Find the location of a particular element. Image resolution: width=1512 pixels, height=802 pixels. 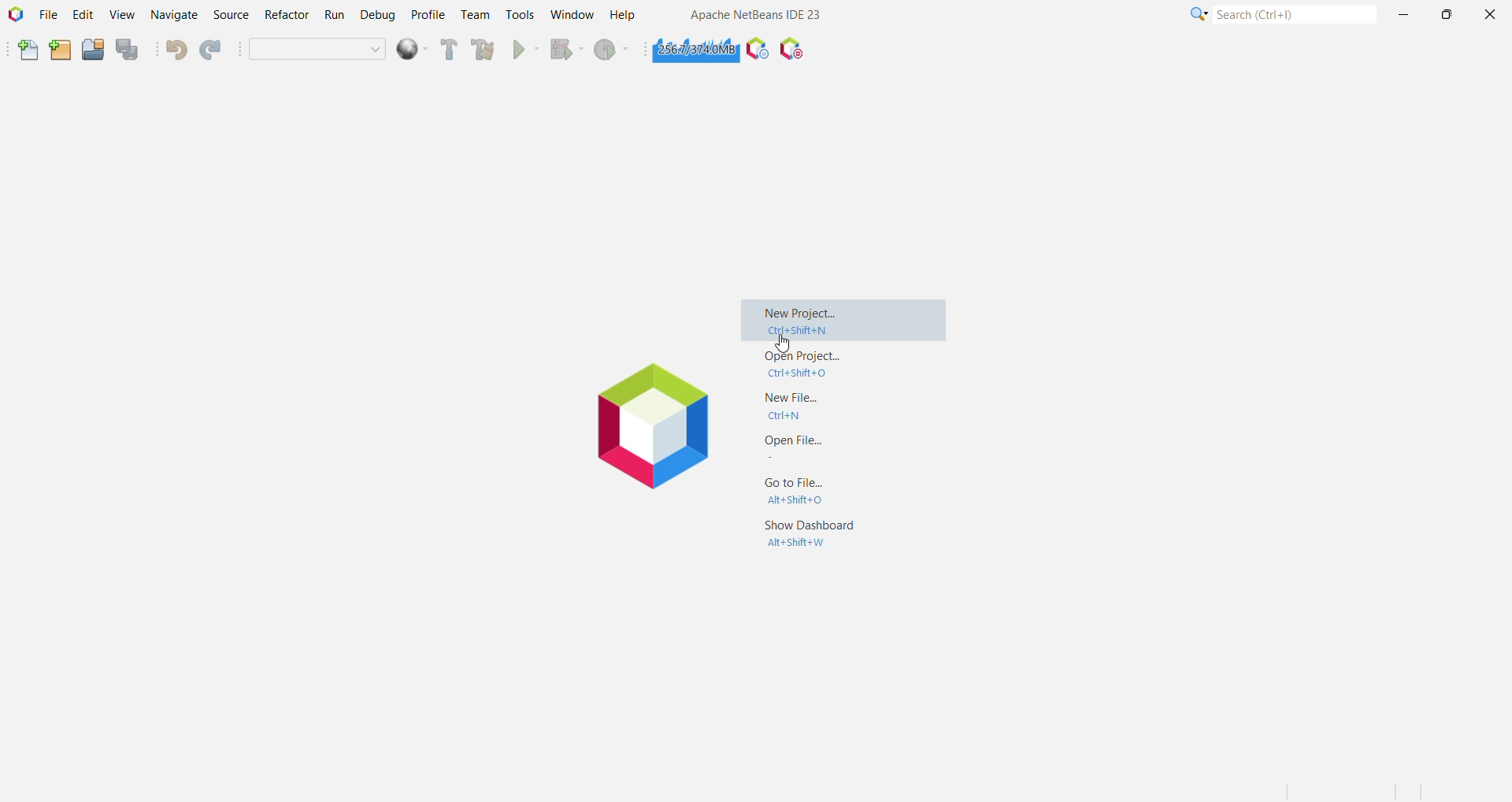

Edit is located at coordinates (82, 16).